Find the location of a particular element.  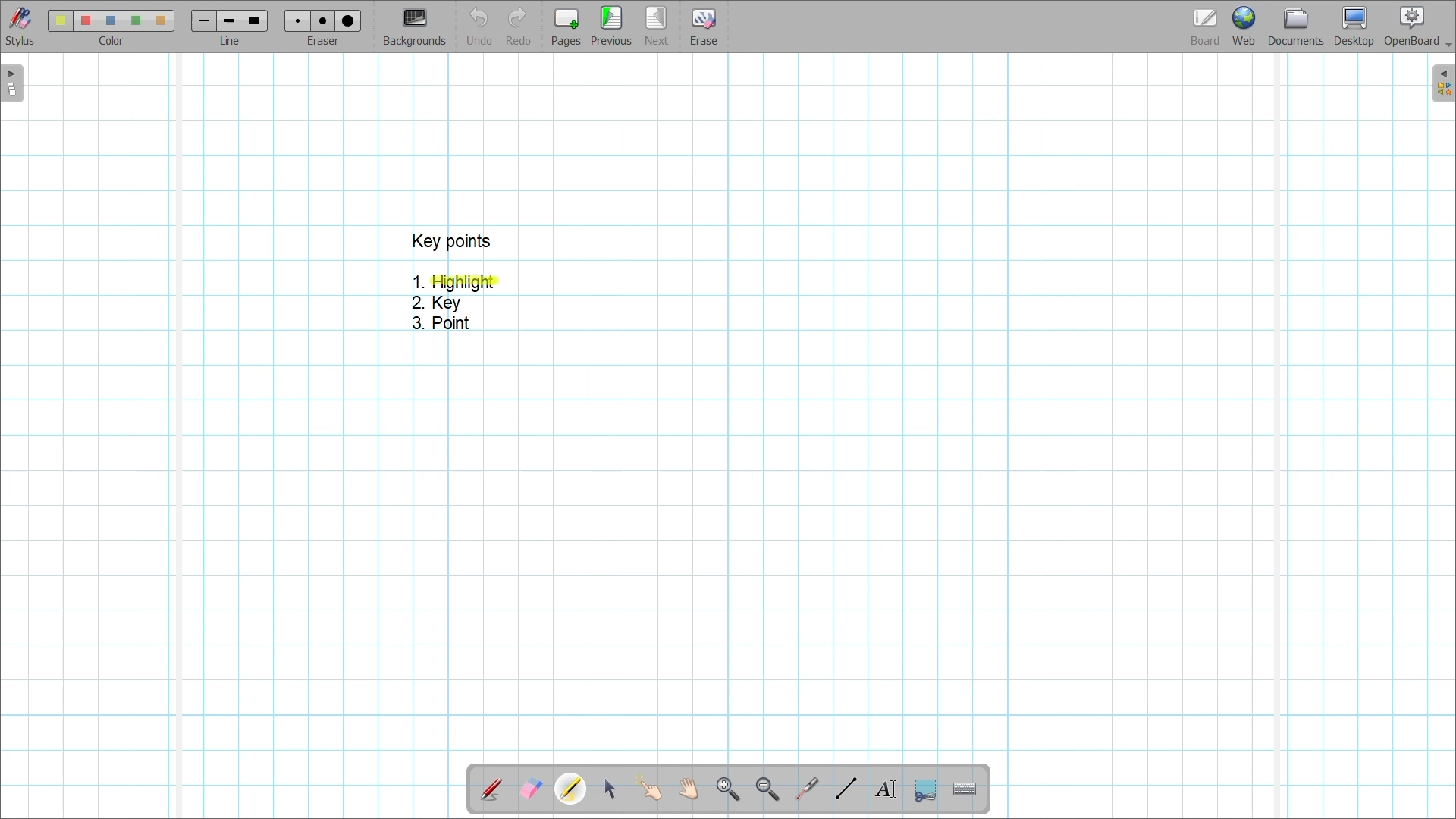

Use virtual laser is located at coordinates (806, 789).